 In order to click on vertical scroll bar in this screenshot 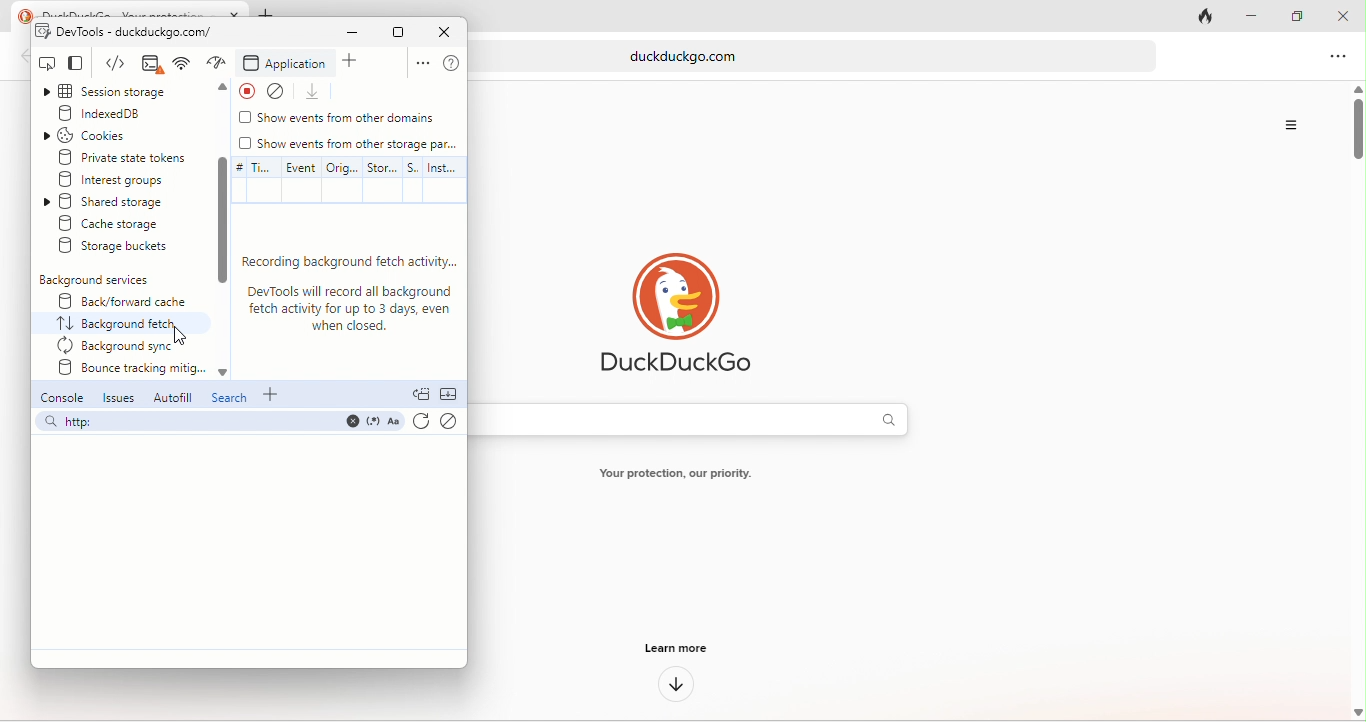, I will do `click(1356, 133)`.